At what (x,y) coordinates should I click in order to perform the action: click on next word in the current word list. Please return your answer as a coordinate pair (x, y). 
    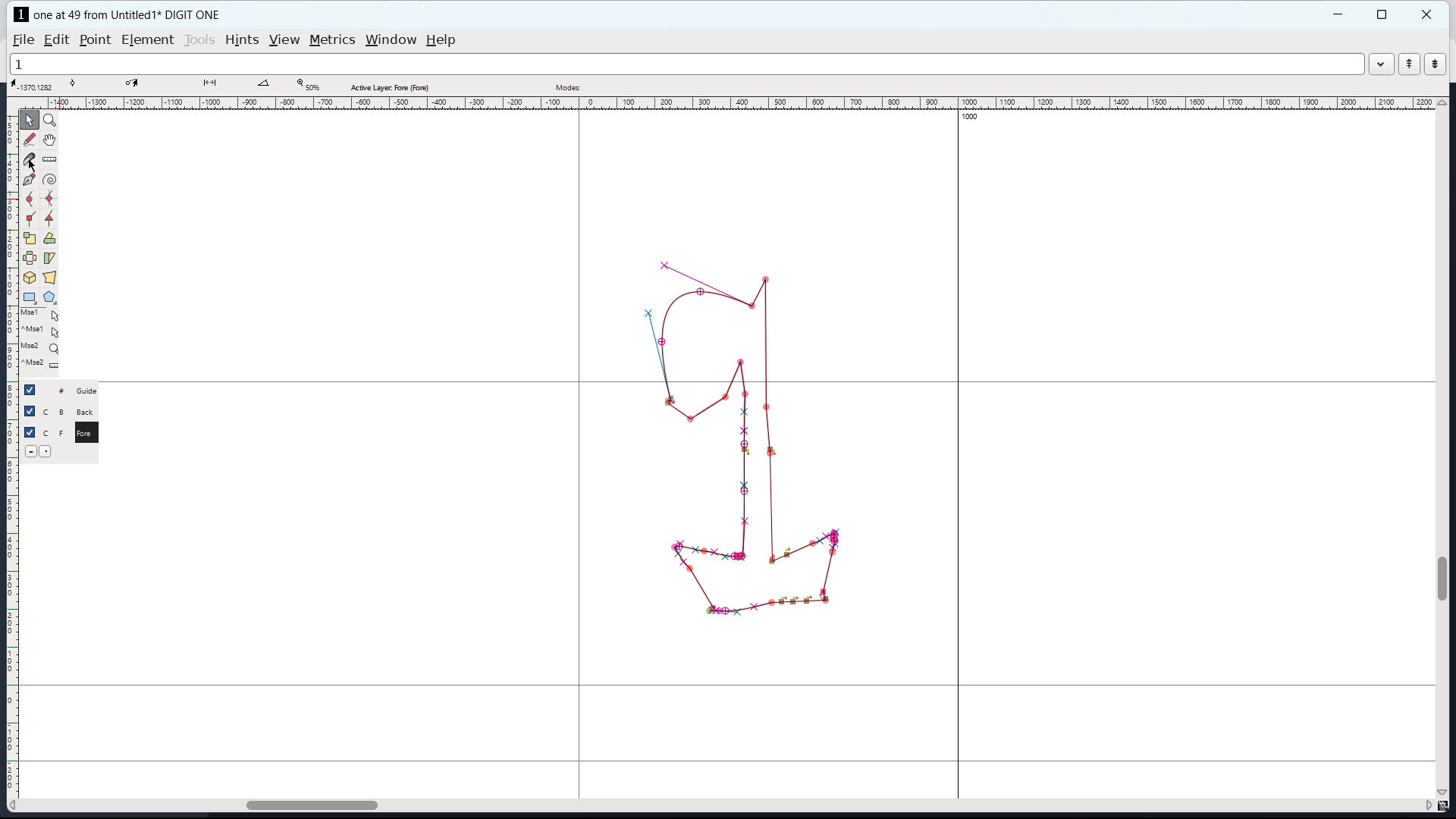
    Looking at the image, I should click on (1435, 64).